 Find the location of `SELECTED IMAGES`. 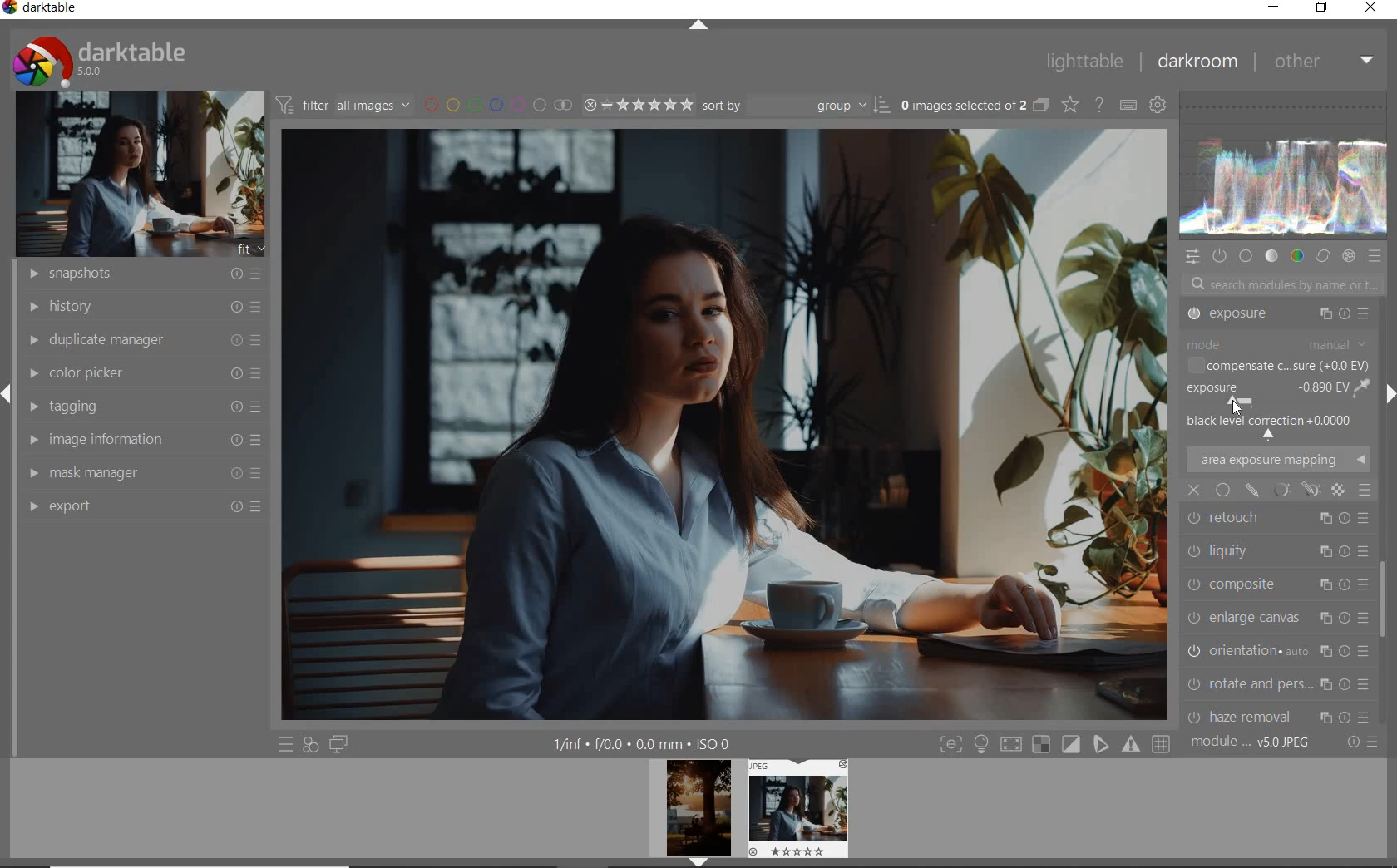

SELECTED IMAGES is located at coordinates (960, 106).